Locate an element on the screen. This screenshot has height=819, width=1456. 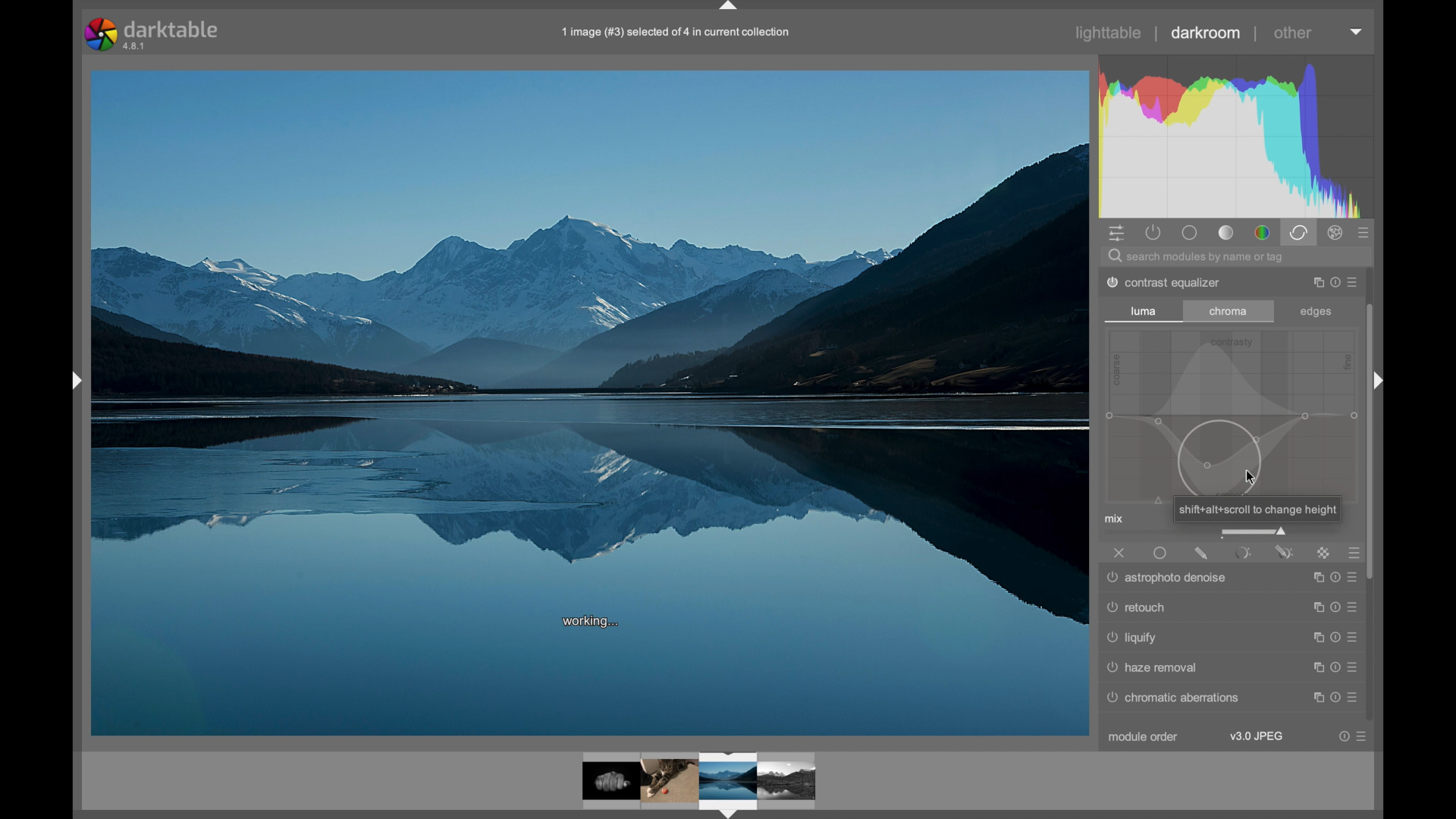
dropdown is located at coordinates (1357, 32).